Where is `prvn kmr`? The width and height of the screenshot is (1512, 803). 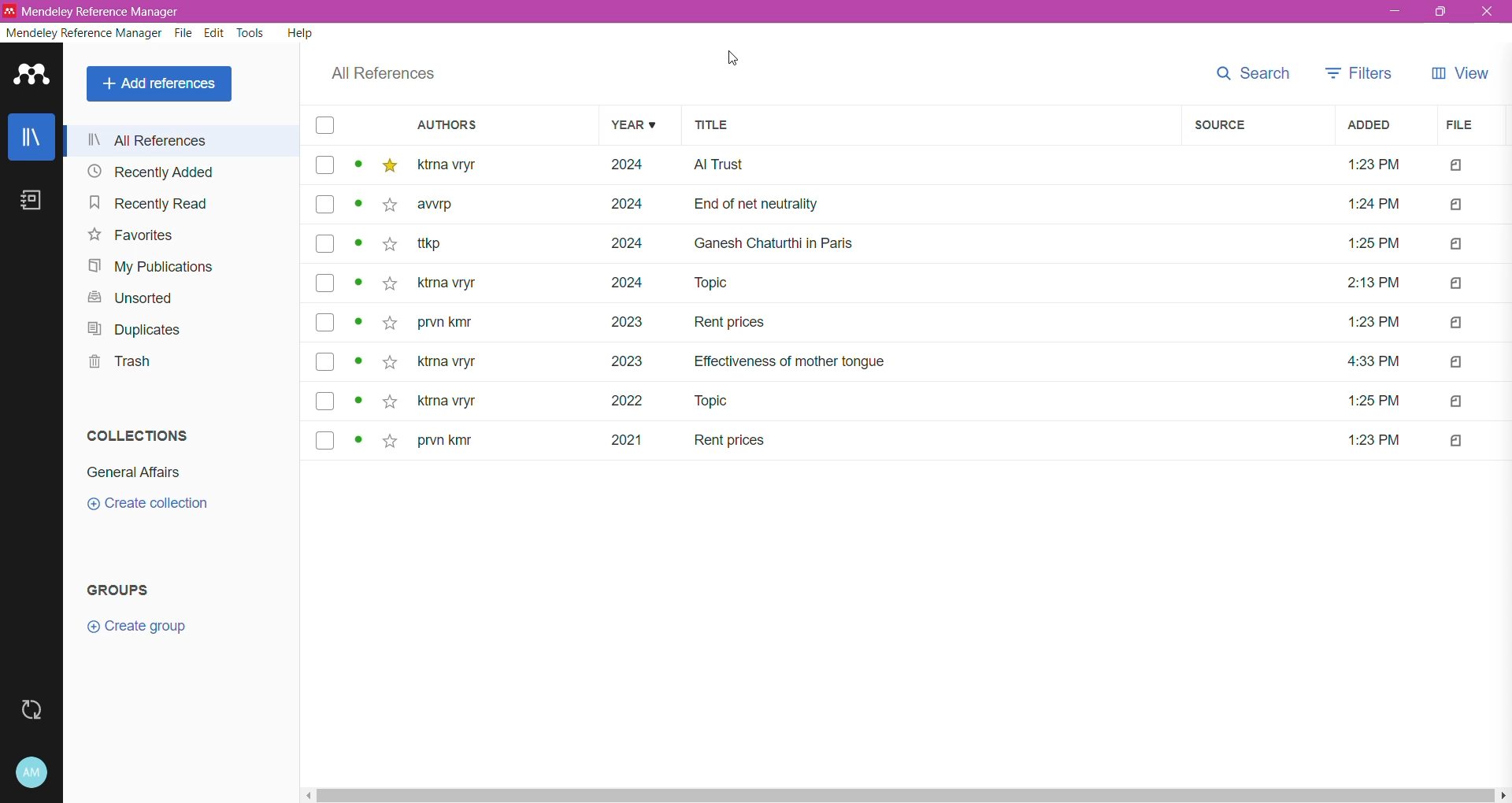
prvn kmr is located at coordinates (446, 441).